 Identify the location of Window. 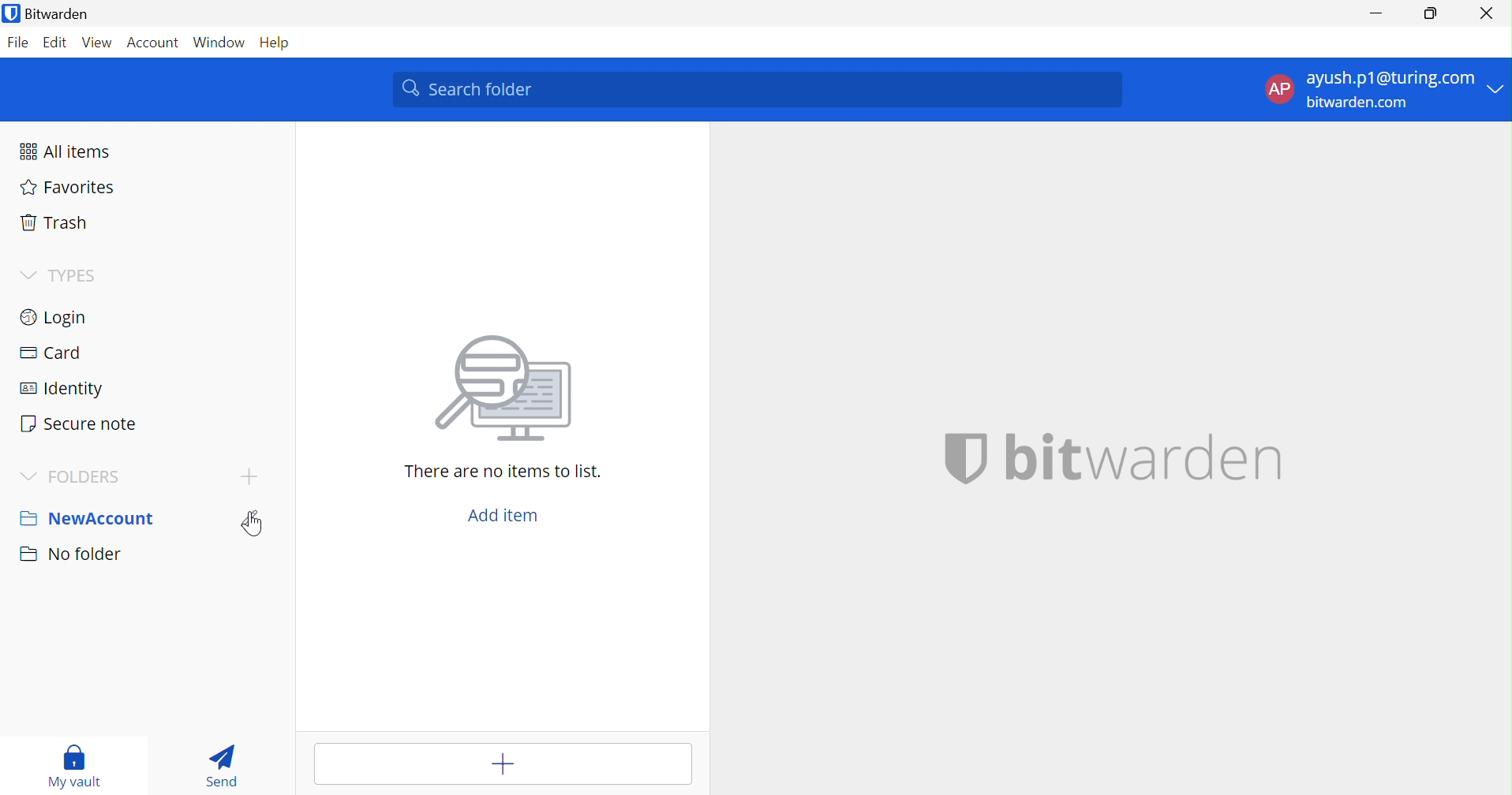
(219, 41).